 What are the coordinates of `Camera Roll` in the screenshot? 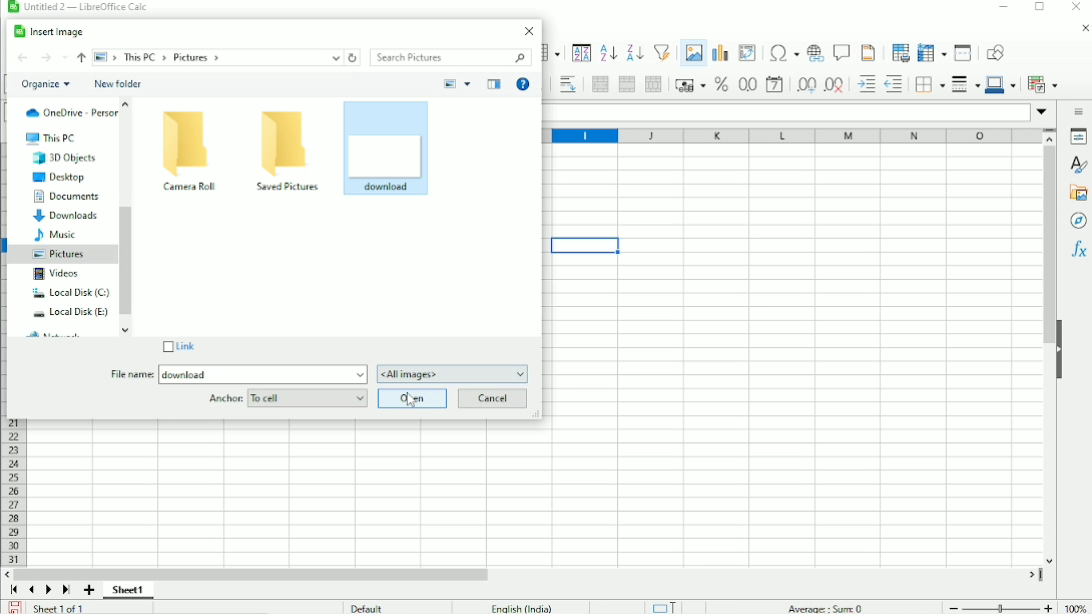 It's located at (190, 151).